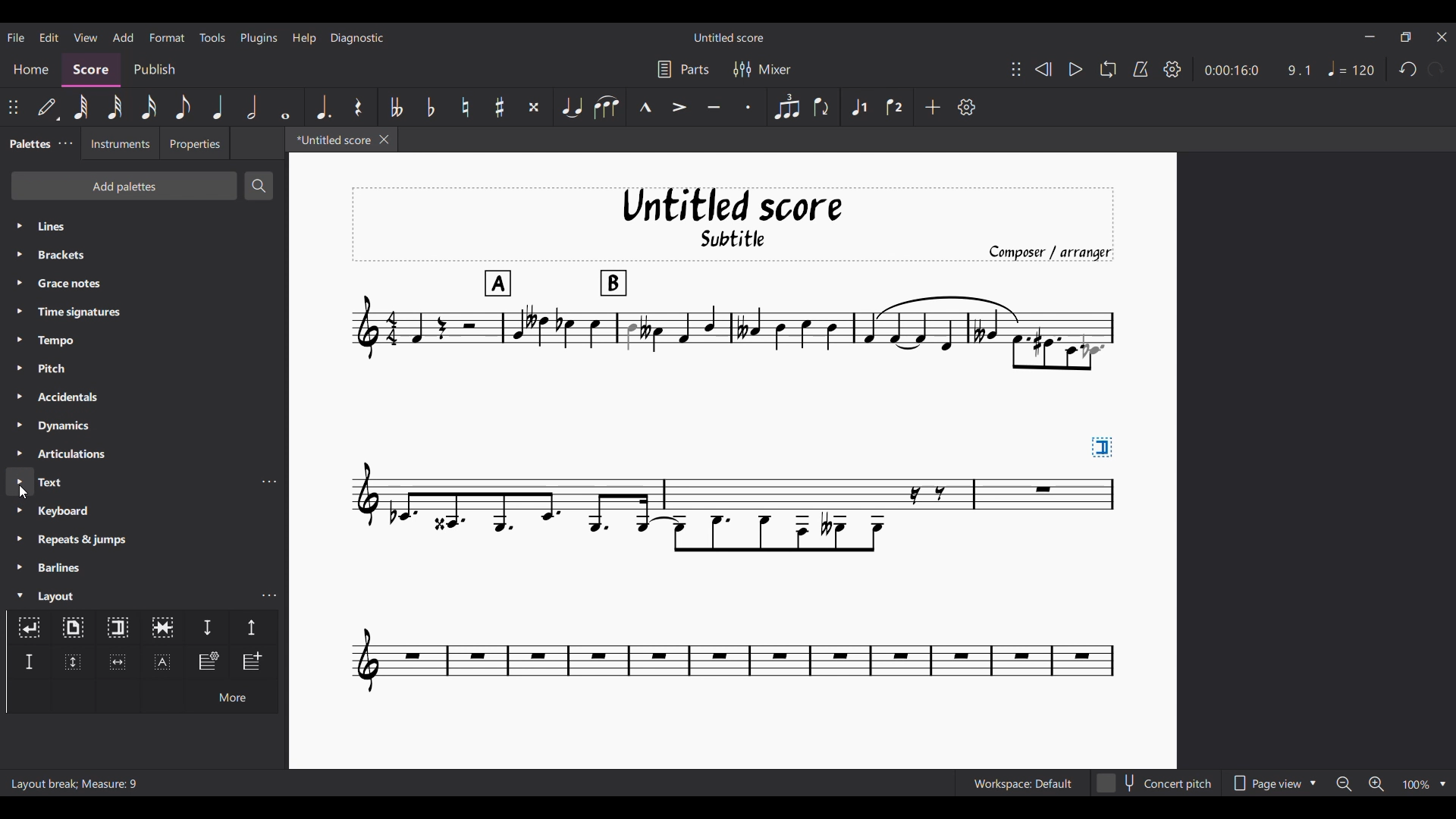 This screenshot has height=819, width=1456. I want to click on Customize settings, so click(967, 107).